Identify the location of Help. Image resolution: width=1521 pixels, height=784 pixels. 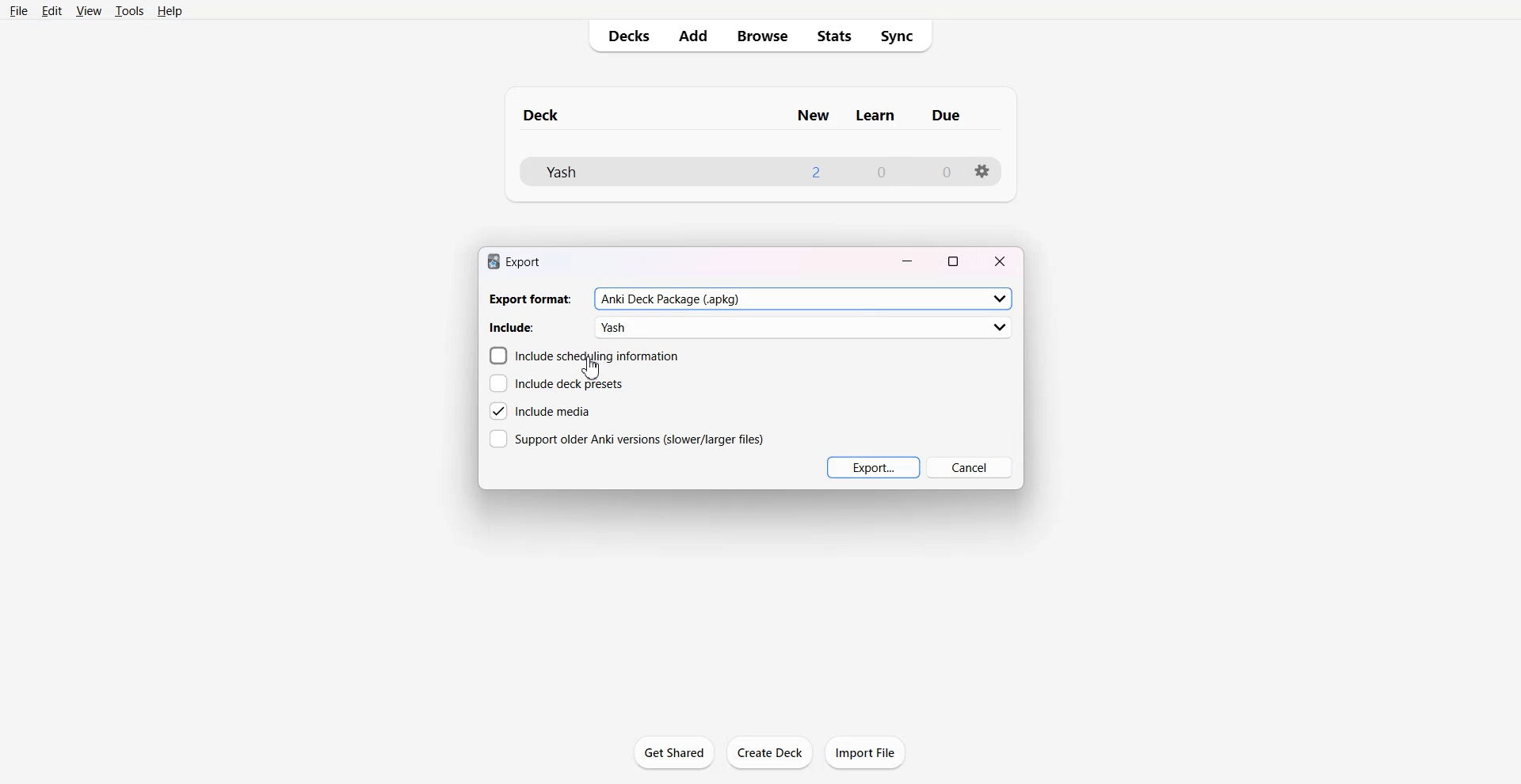
(173, 12).